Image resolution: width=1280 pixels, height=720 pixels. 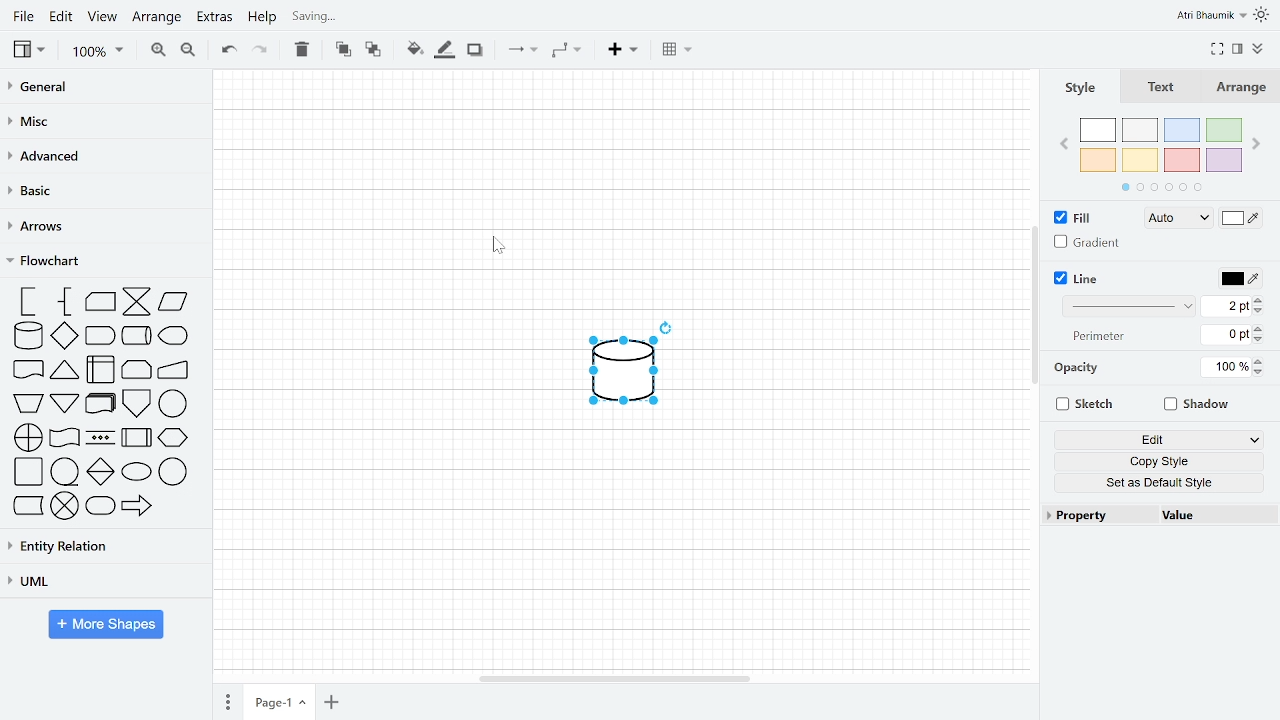 I want to click on yellow, so click(x=1142, y=159).